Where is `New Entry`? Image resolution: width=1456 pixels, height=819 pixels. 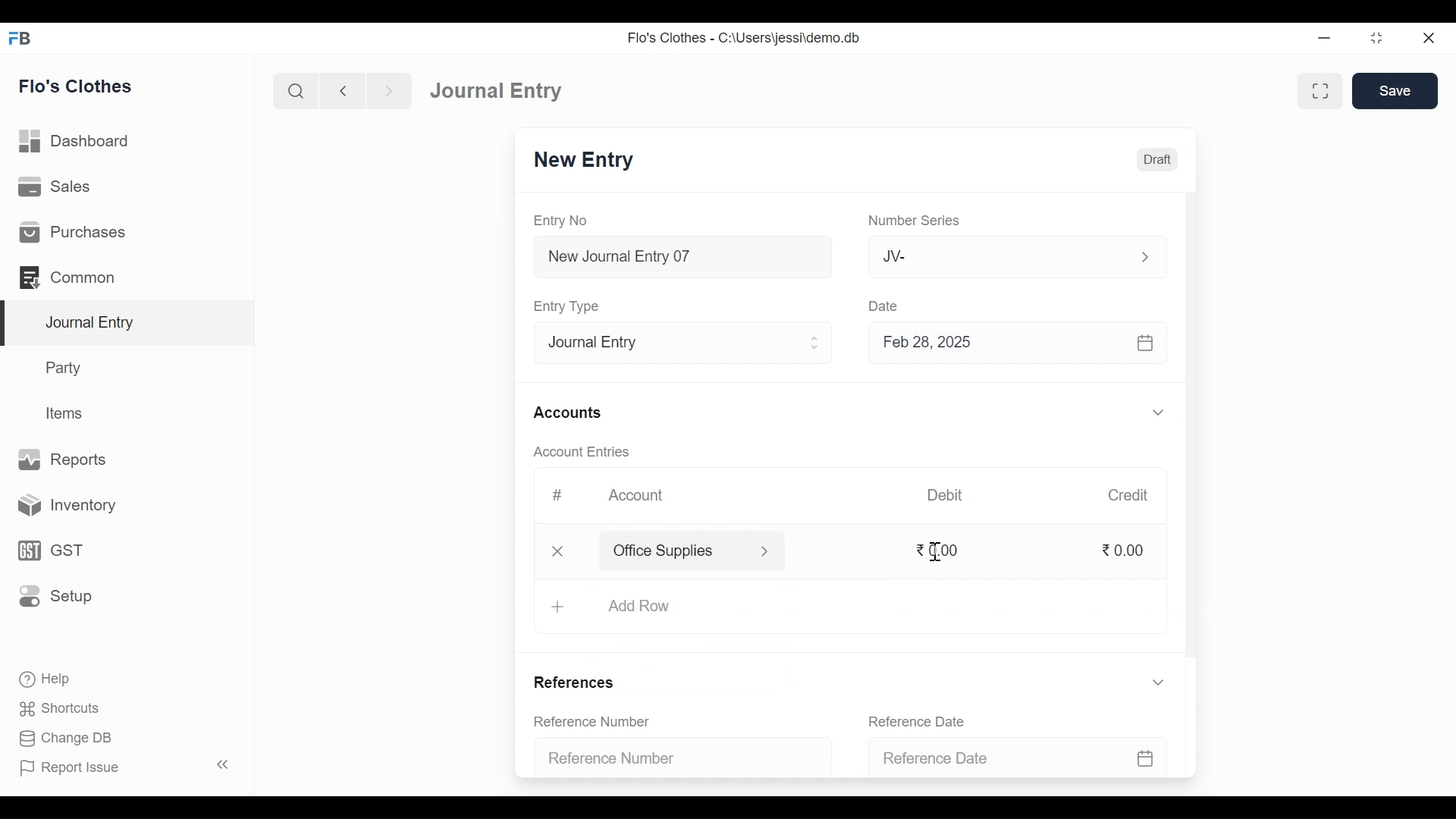
New Entry is located at coordinates (588, 160).